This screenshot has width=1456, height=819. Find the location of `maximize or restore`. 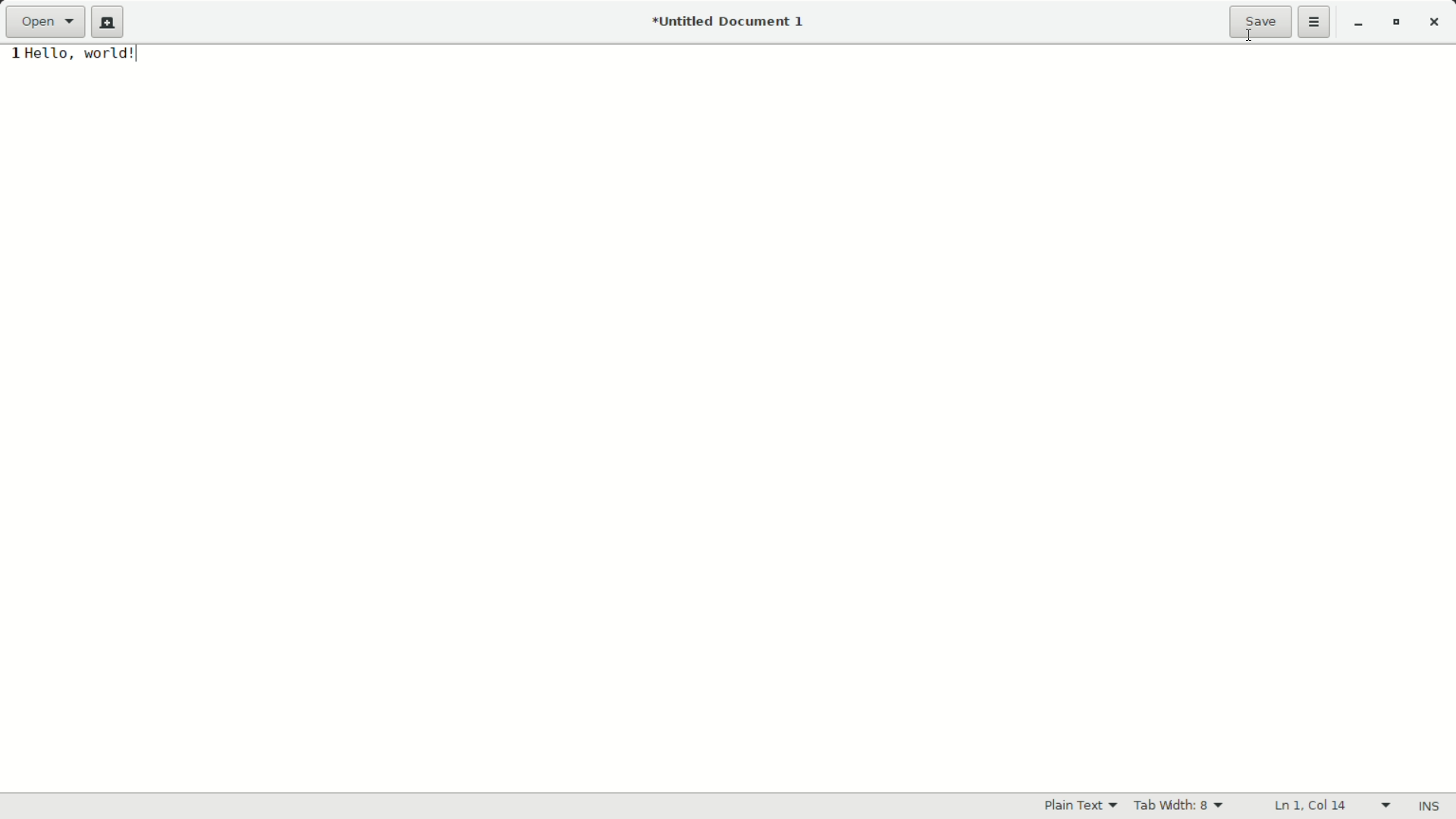

maximize or restore is located at coordinates (1401, 24).